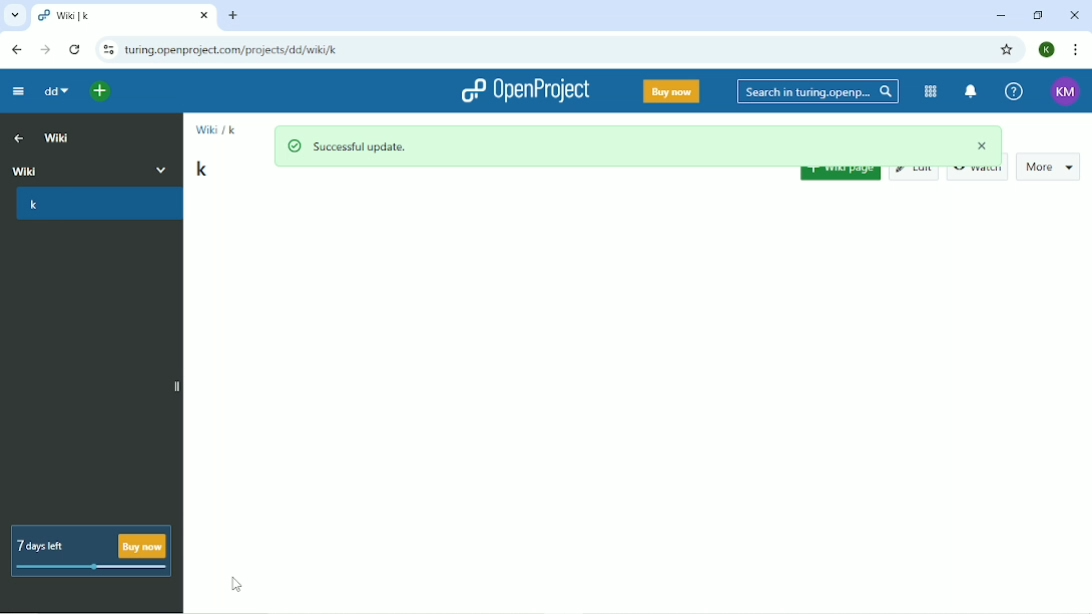  Describe the element at coordinates (931, 92) in the screenshot. I see `Modules` at that location.